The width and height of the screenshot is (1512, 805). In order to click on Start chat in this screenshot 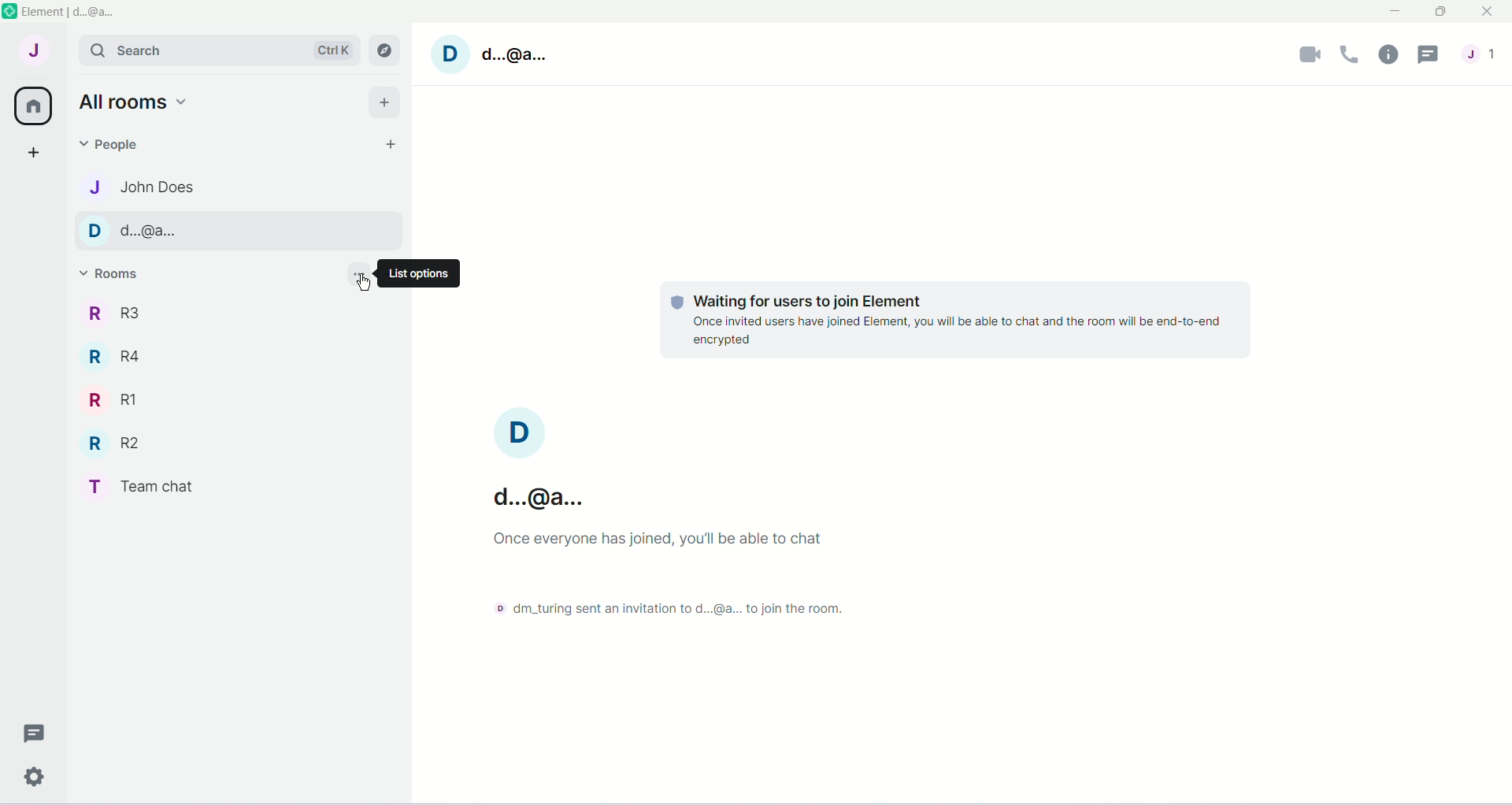, I will do `click(386, 144)`.